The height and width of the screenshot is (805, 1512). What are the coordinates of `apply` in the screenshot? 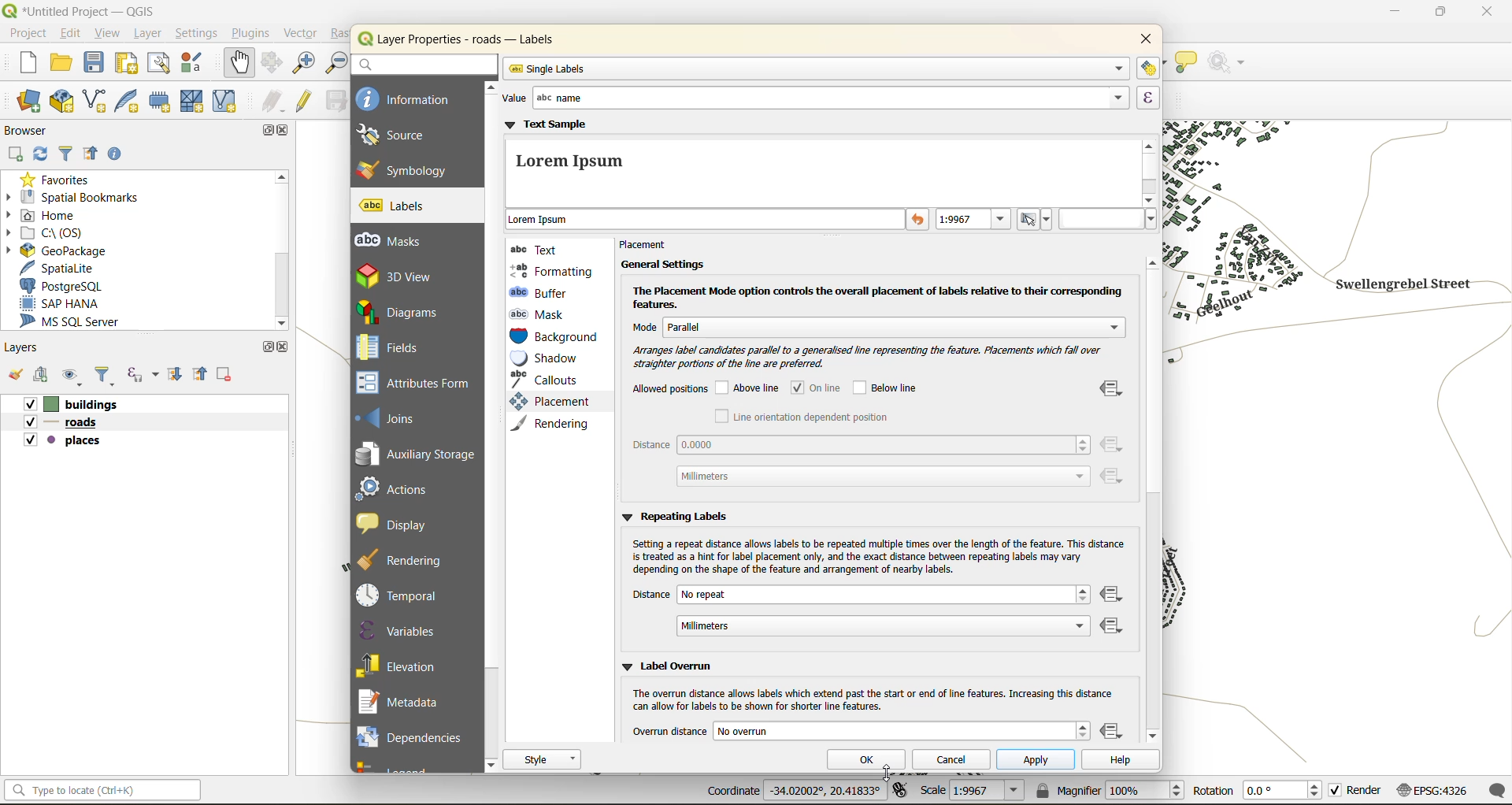 It's located at (1038, 763).